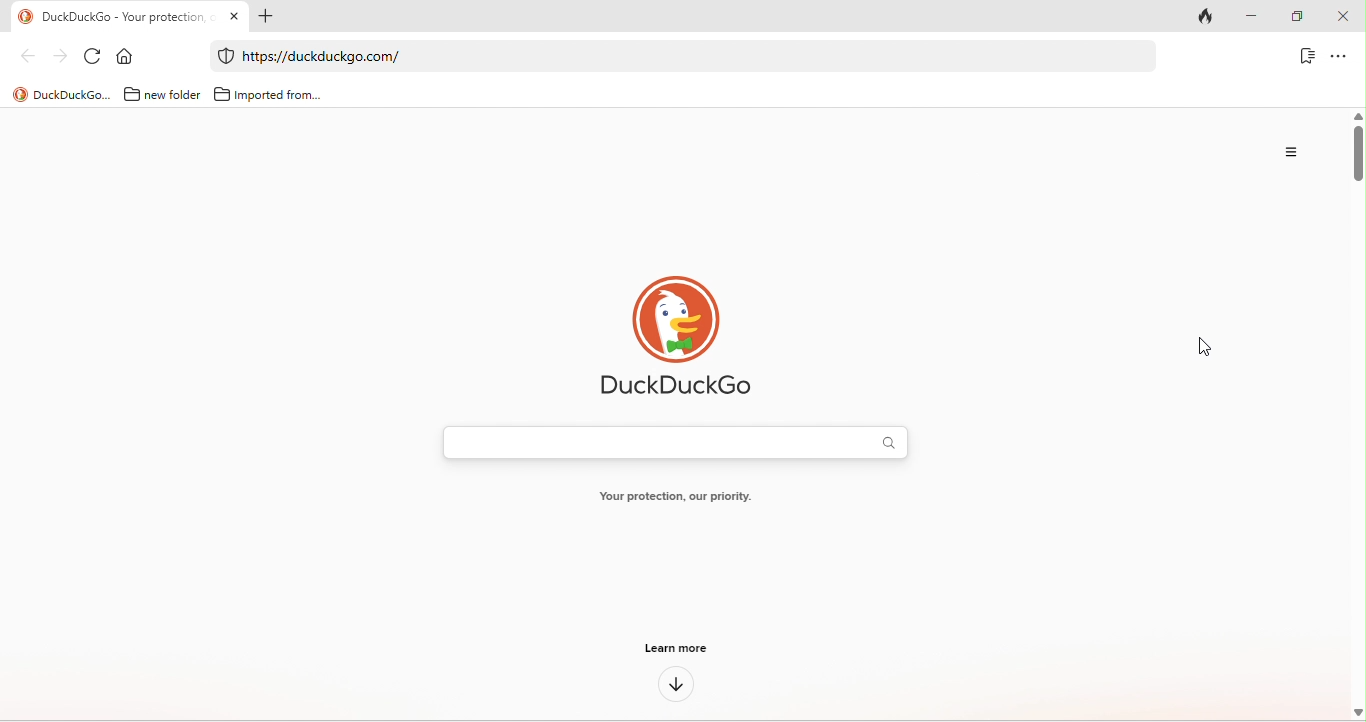  I want to click on home, so click(127, 55).